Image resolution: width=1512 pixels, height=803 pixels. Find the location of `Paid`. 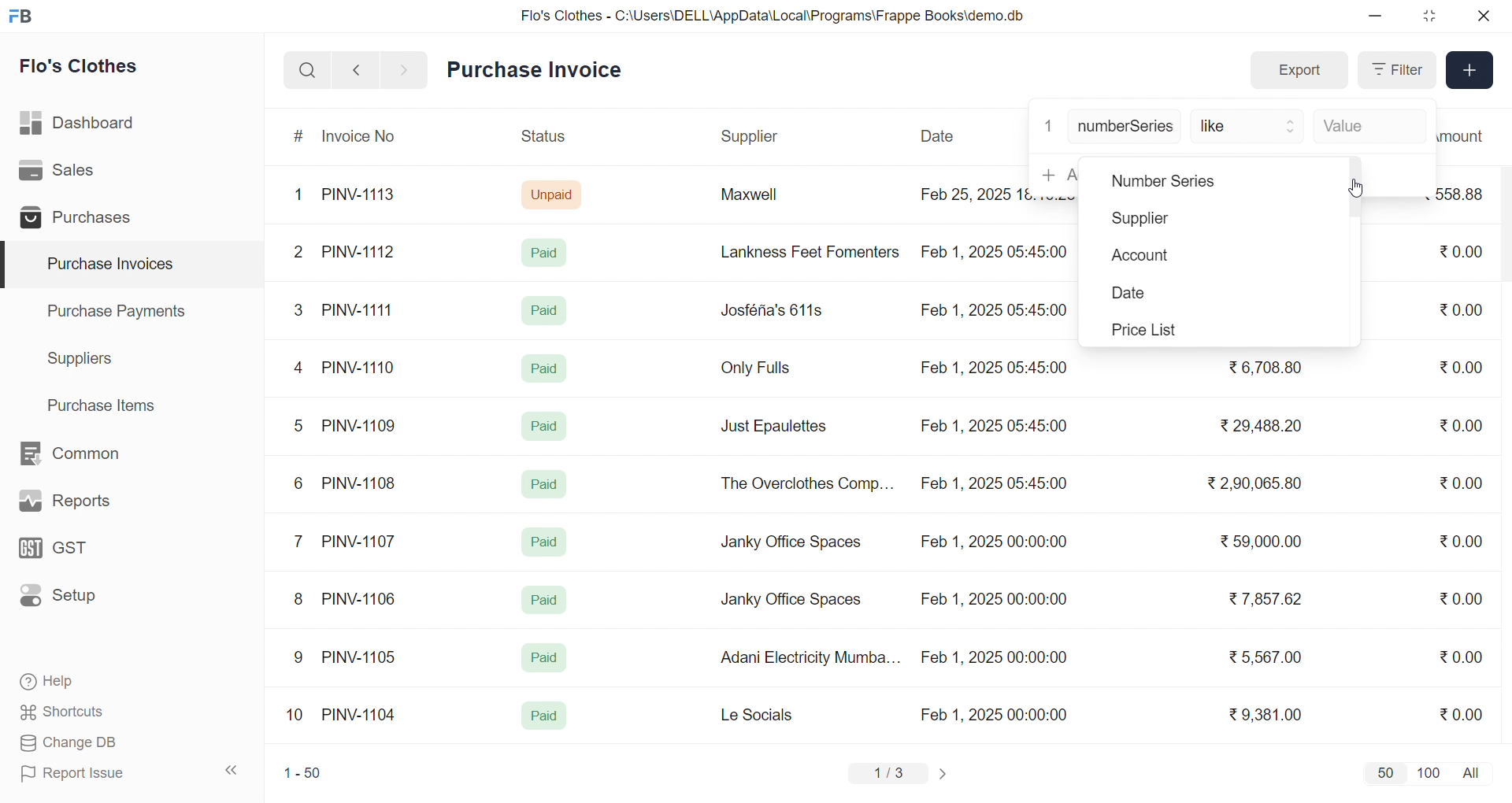

Paid is located at coordinates (544, 716).